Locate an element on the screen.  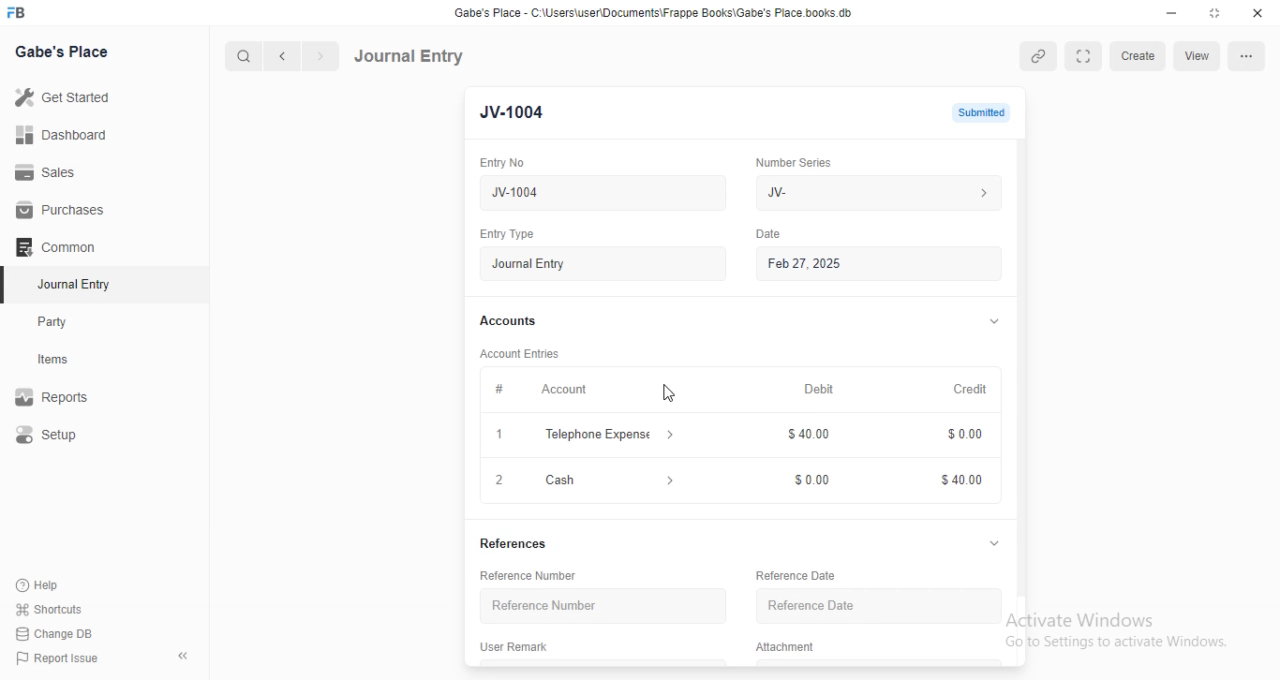
Collapse is located at coordinates (184, 656).